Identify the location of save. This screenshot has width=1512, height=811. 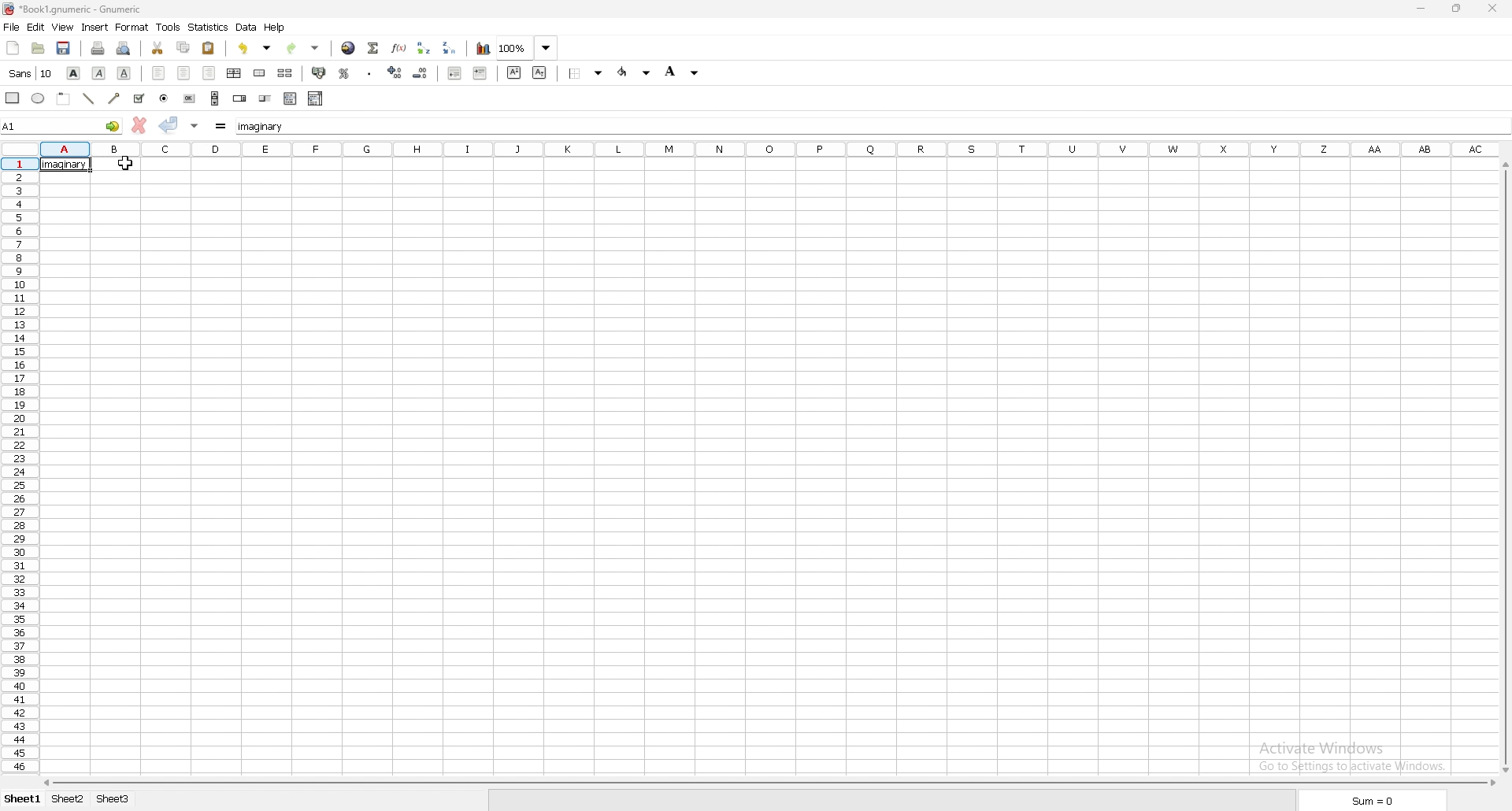
(63, 48).